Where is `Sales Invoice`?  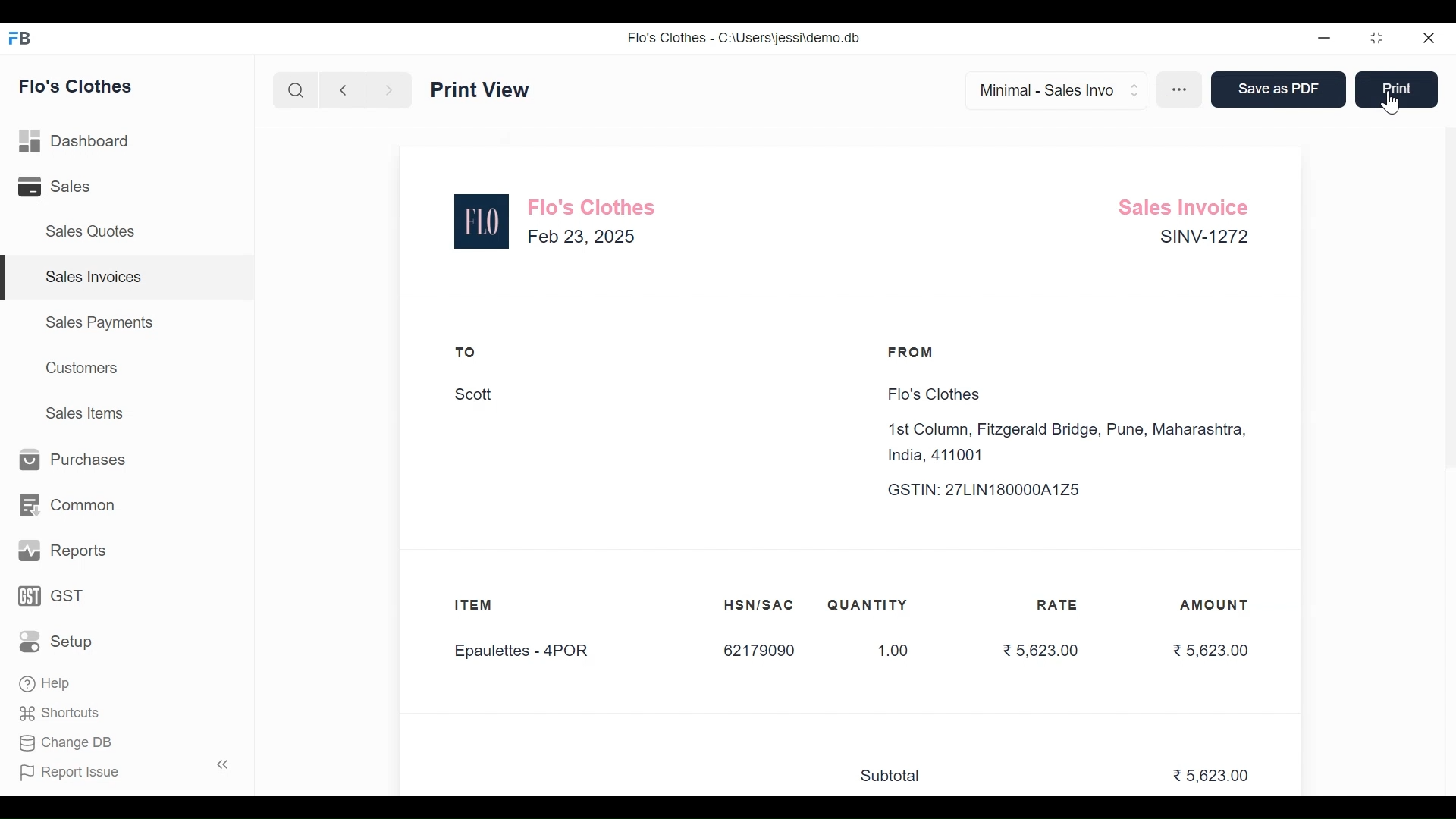 Sales Invoice is located at coordinates (496, 89).